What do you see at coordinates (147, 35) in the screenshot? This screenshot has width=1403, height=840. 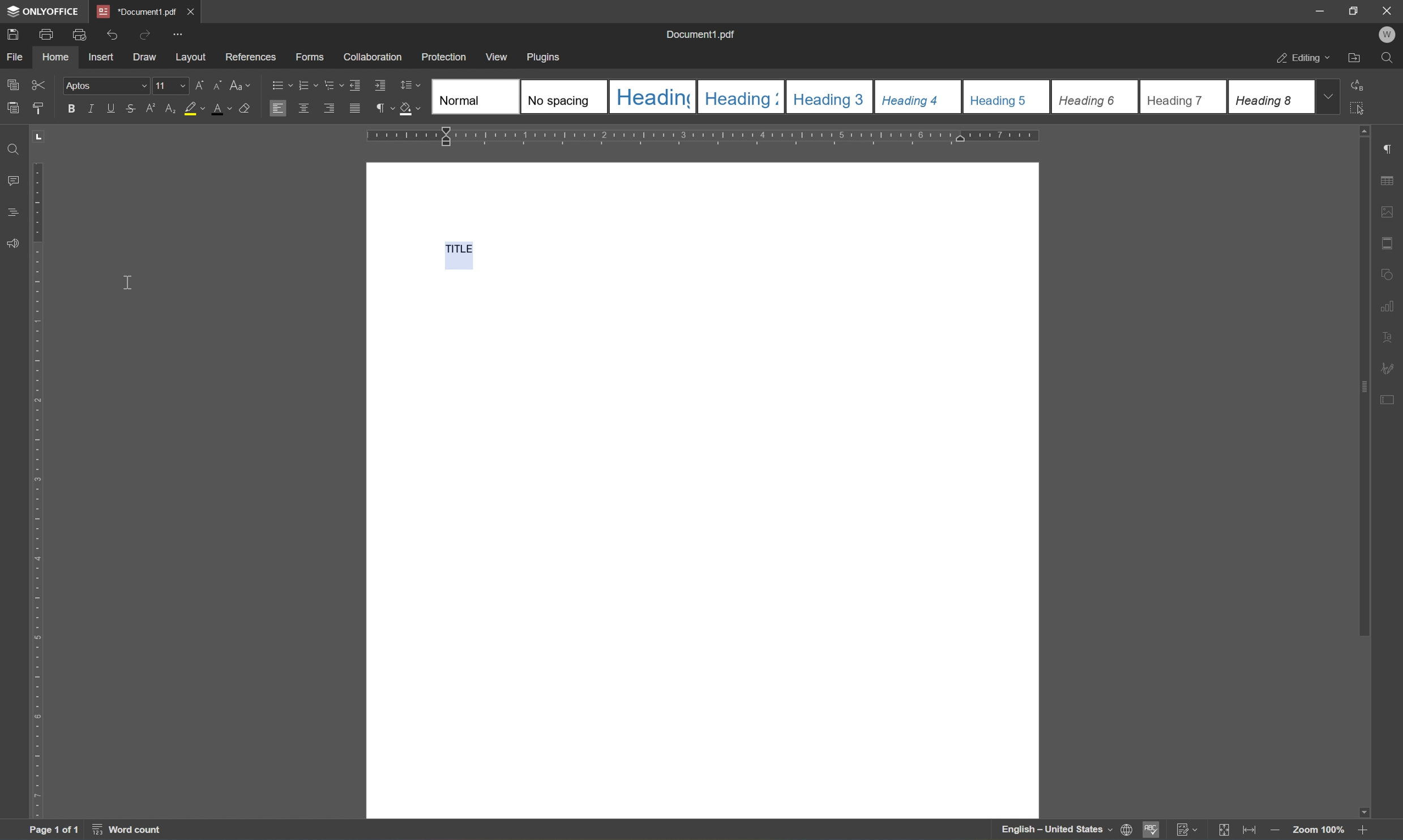 I see `redo` at bounding box center [147, 35].